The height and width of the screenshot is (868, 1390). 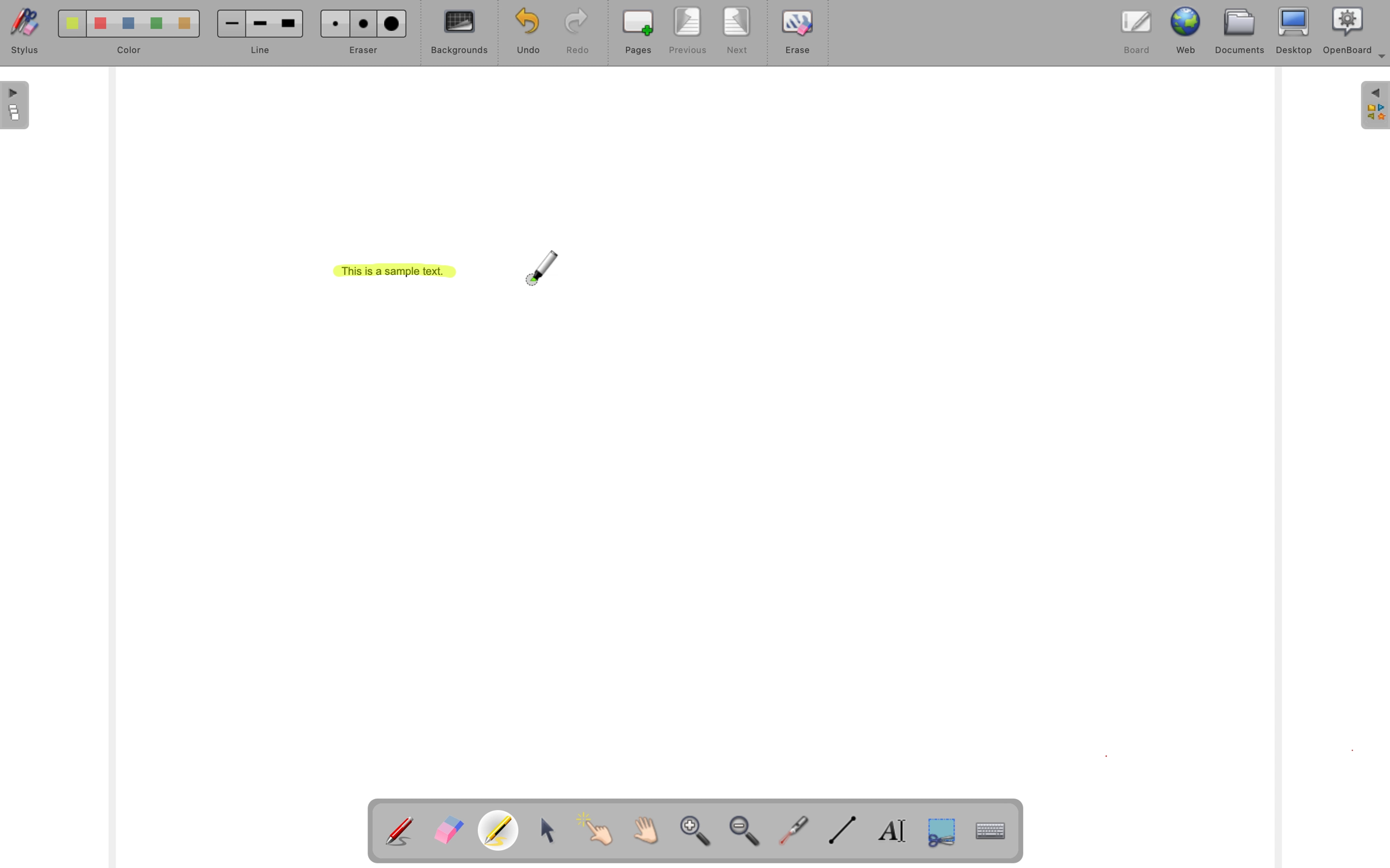 I want to click on backgrounds, so click(x=455, y=32).